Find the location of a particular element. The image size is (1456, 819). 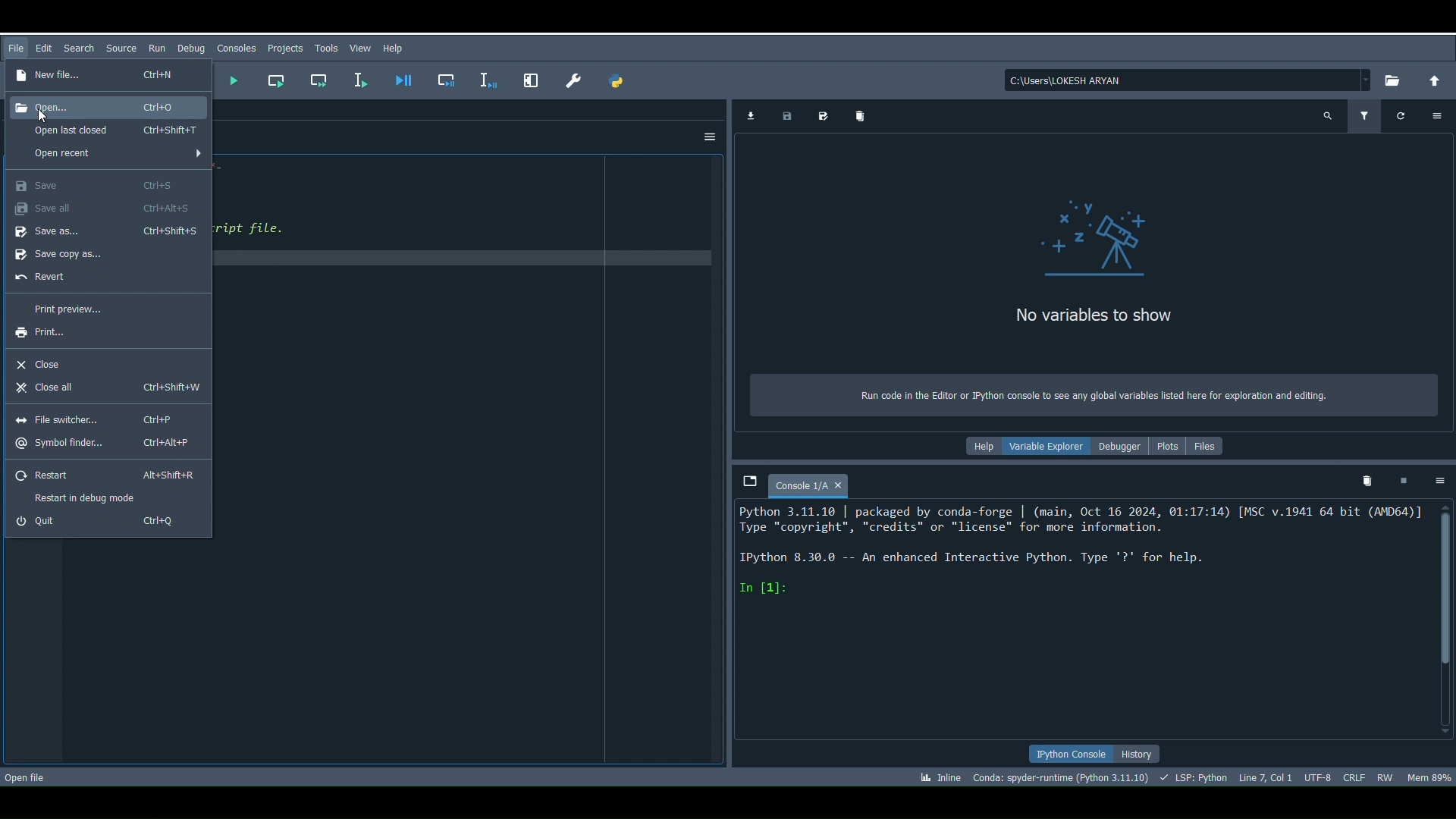

File  is located at coordinates (17, 47).